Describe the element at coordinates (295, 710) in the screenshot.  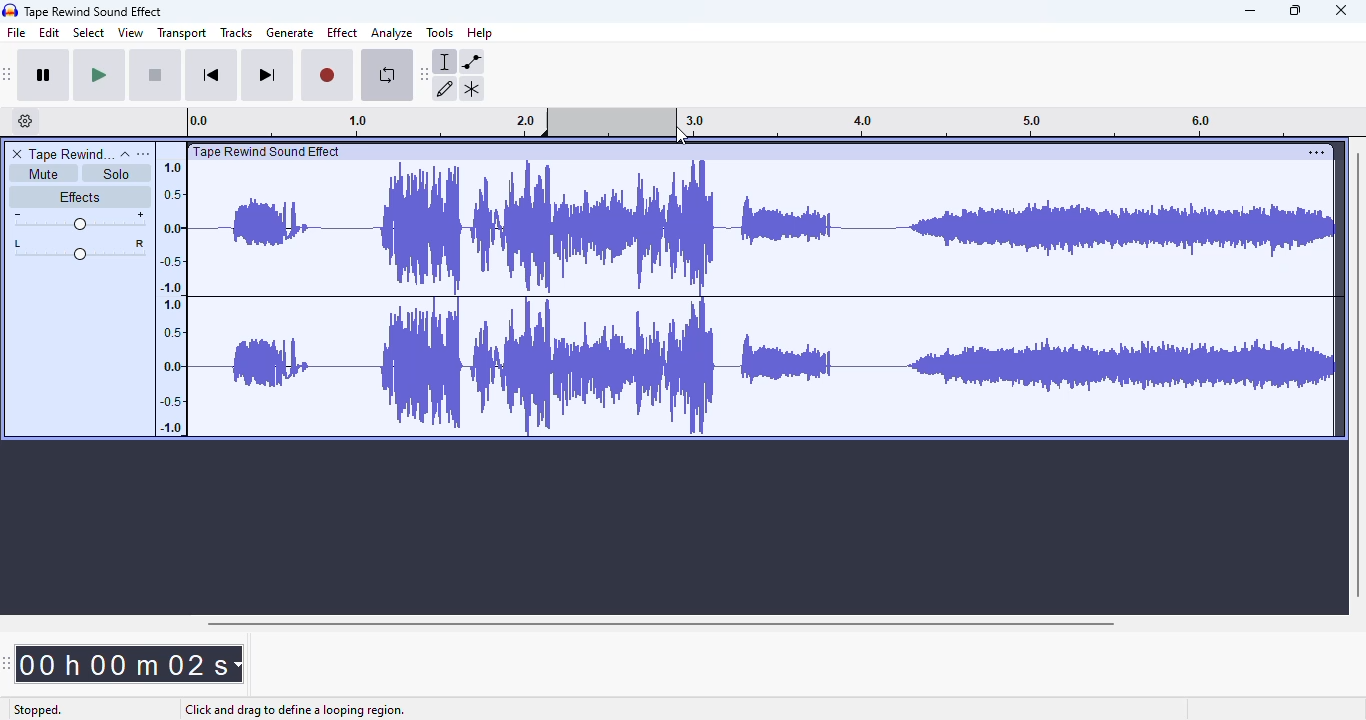
I see `click and drag to define a looping region` at that location.